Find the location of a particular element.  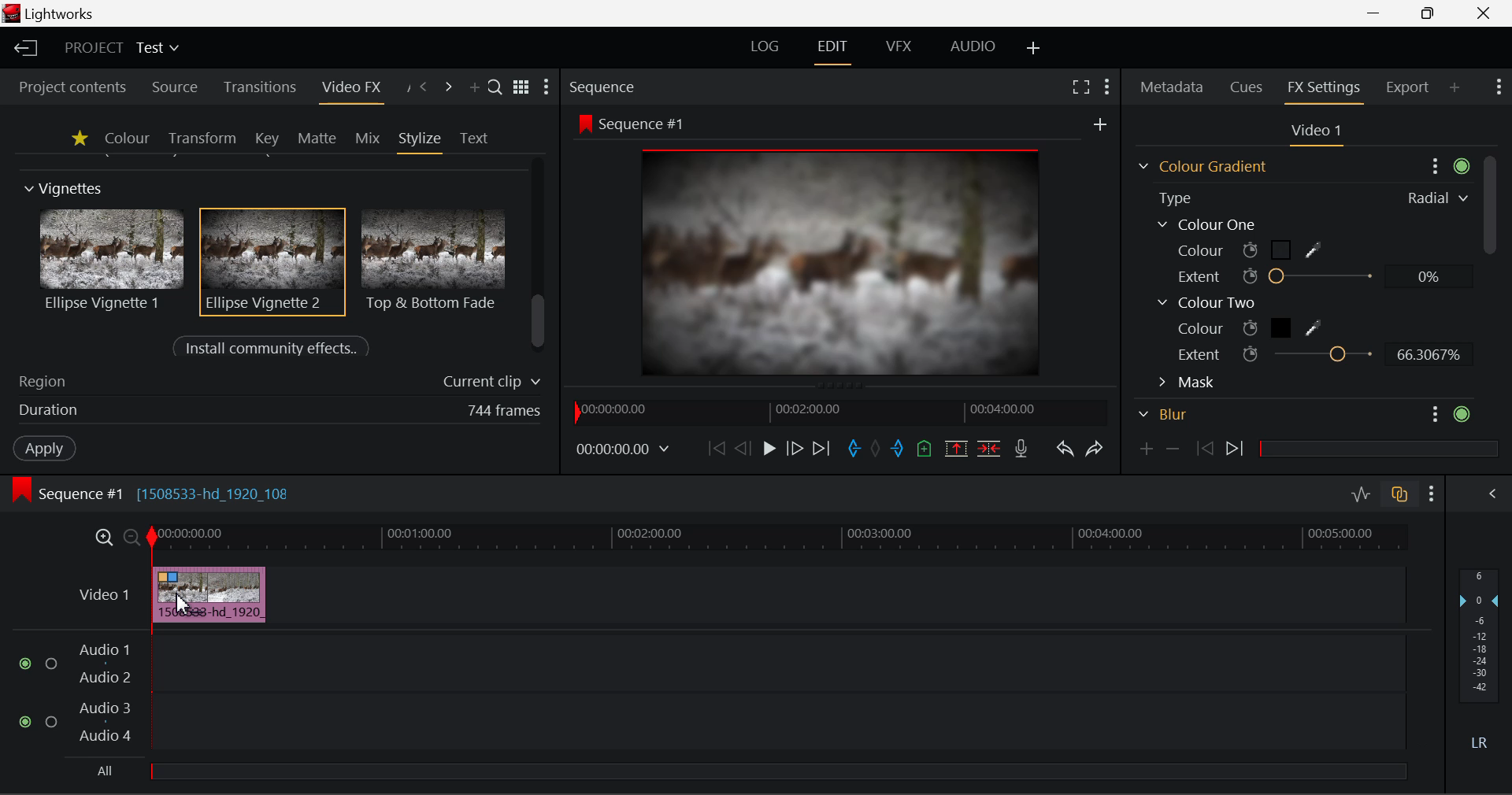

 Blur  is located at coordinates (1304, 417).